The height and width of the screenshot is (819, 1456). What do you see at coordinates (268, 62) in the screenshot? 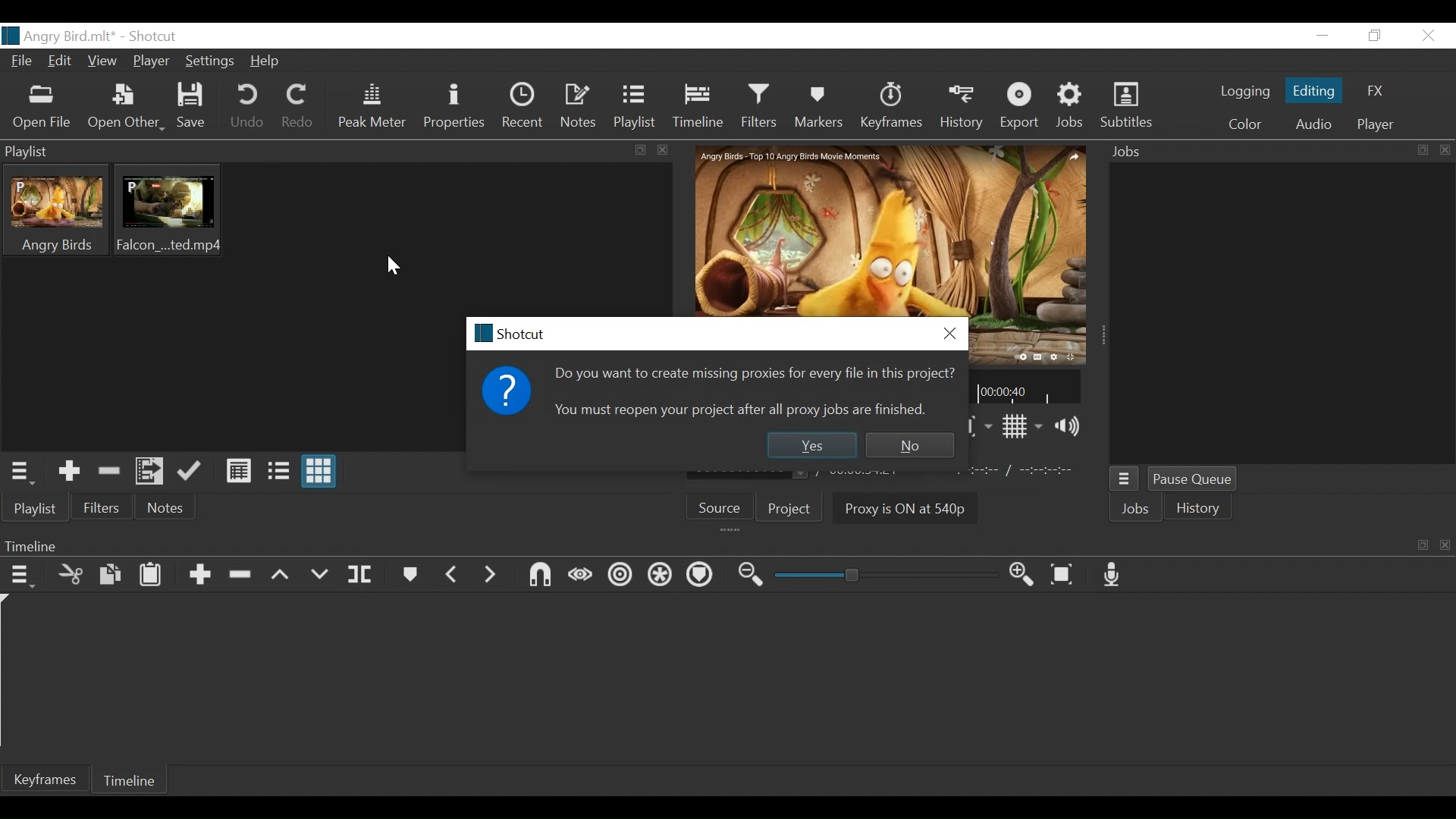
I see `Help` at bounding box center [268, 62].